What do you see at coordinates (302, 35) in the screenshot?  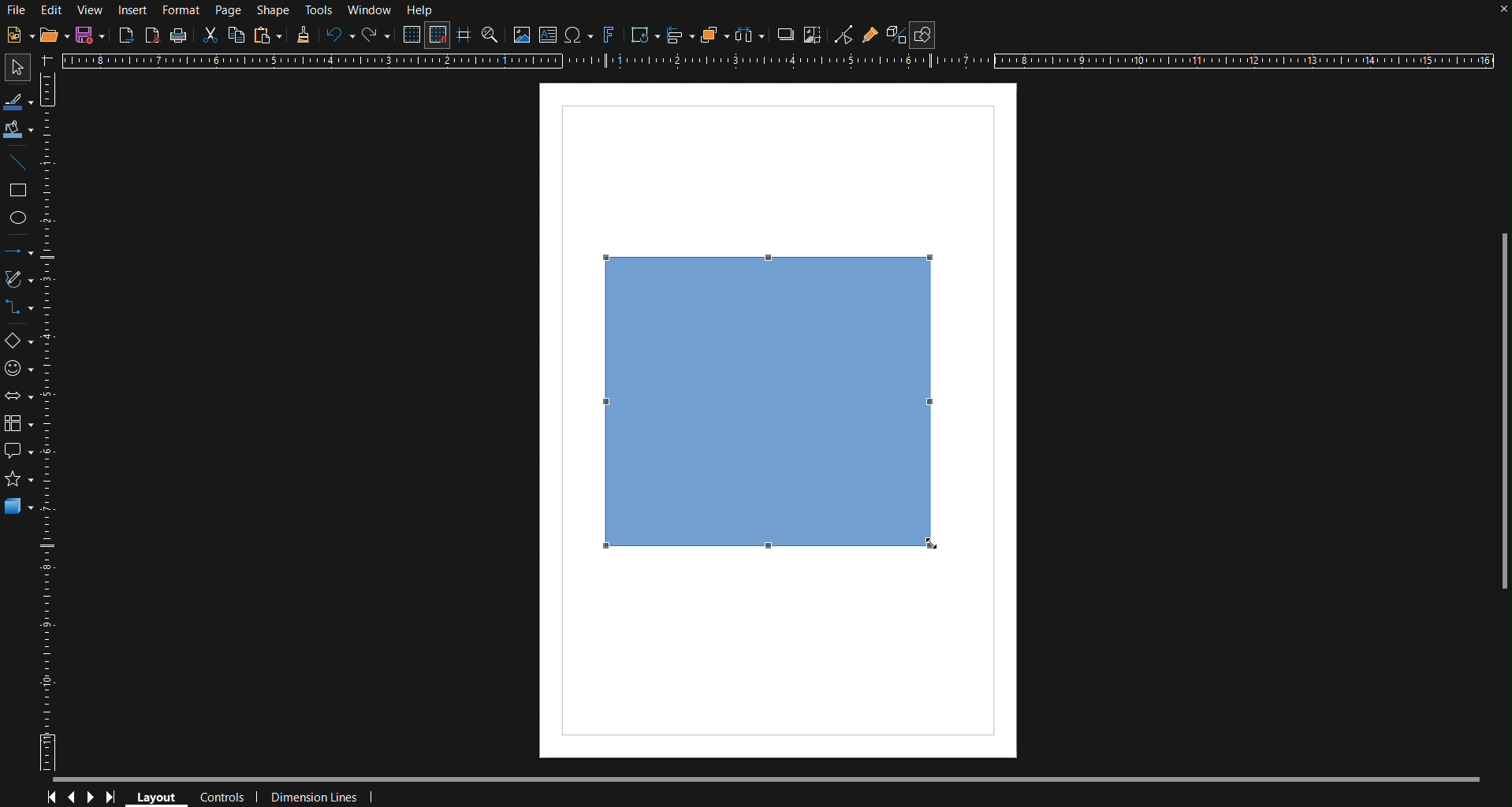 I see `Formatting` at bounding box center [302, 35].